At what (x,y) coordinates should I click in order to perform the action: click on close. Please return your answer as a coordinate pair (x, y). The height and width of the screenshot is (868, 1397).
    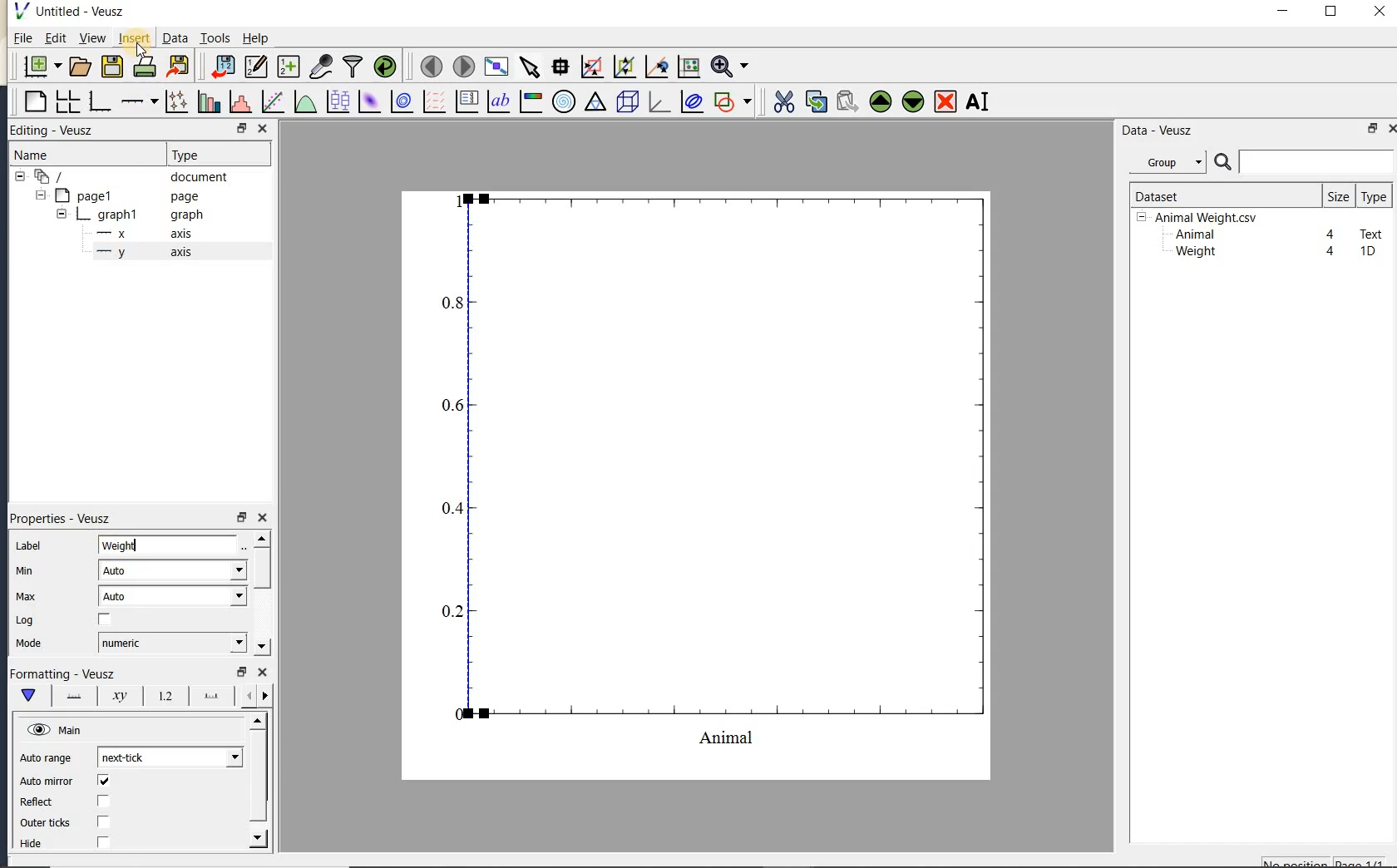
    Looking at the image, I should click on (1380, 12).